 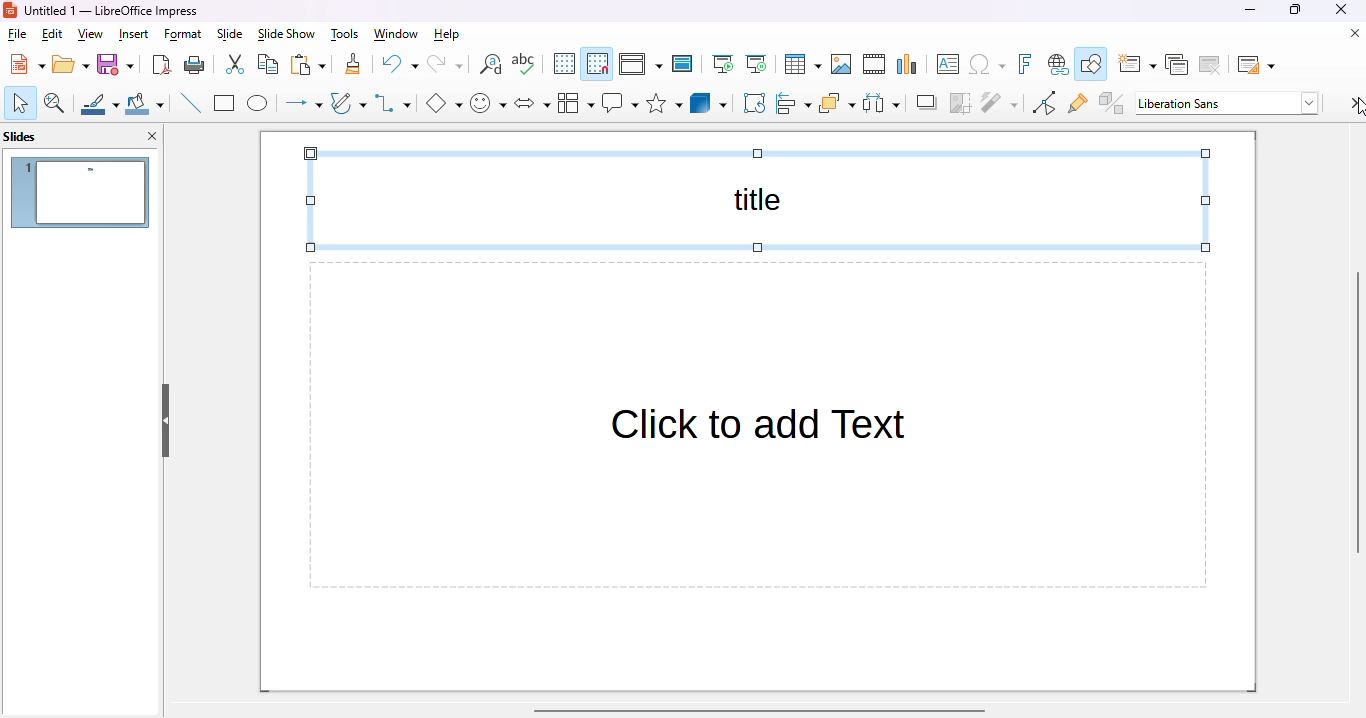 What do you see at coordinates (960, 104) in the screenshot?
I see `crop image` at bounding box center [960, 104].